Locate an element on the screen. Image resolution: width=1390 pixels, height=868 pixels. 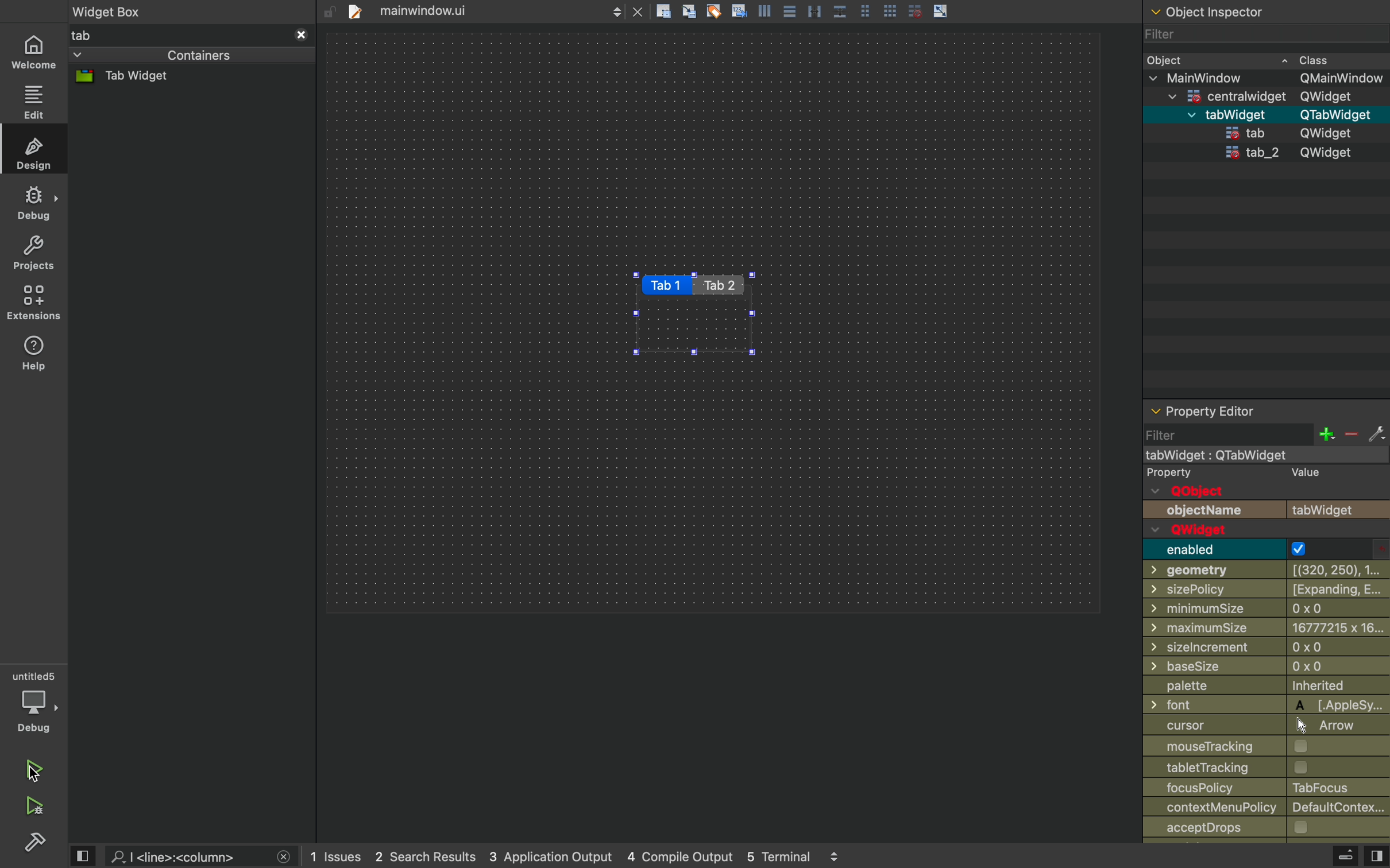
filter is located at coordinates (1172, 436).